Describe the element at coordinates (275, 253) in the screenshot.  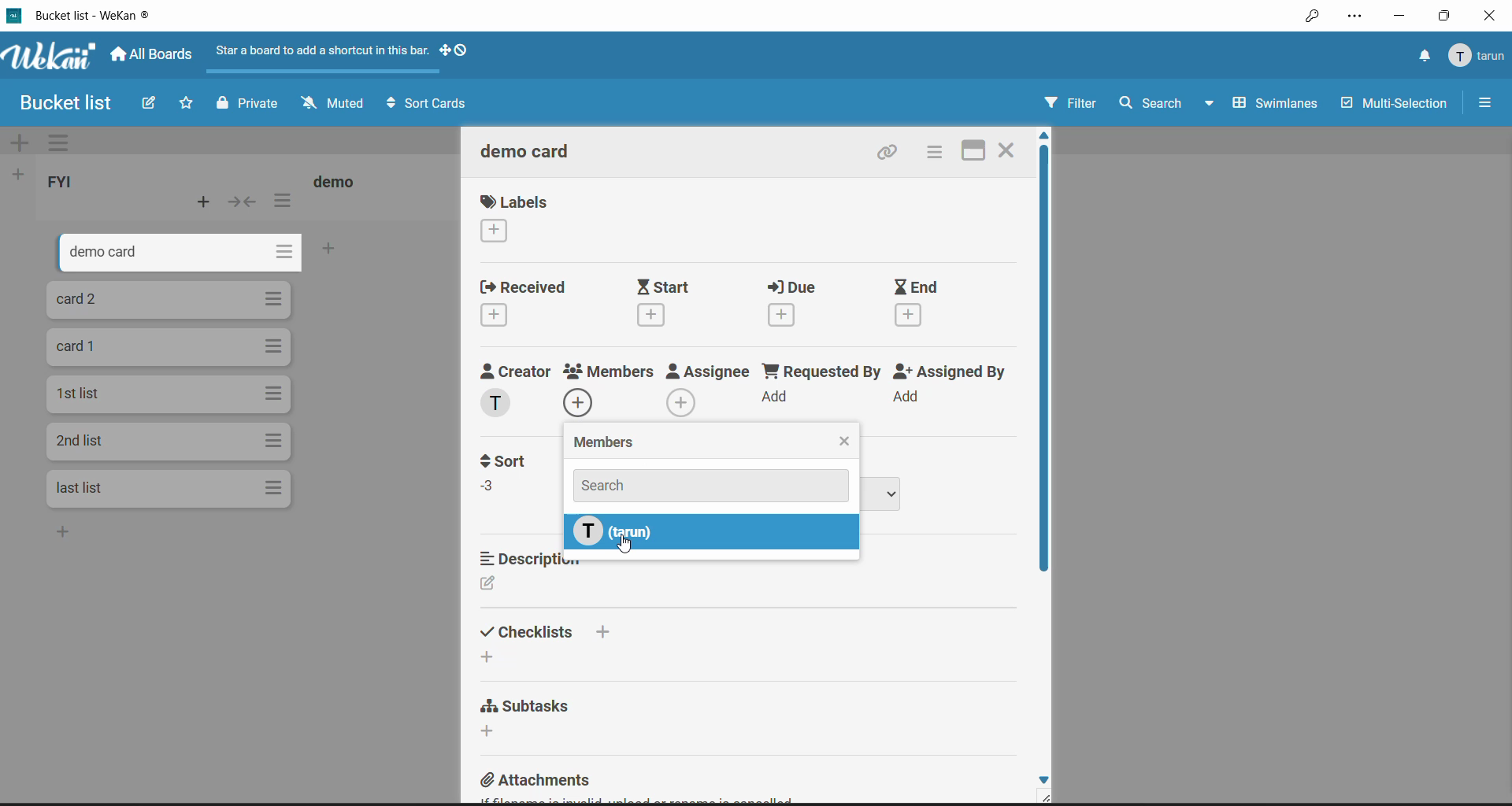
I see `card actions` at that location.